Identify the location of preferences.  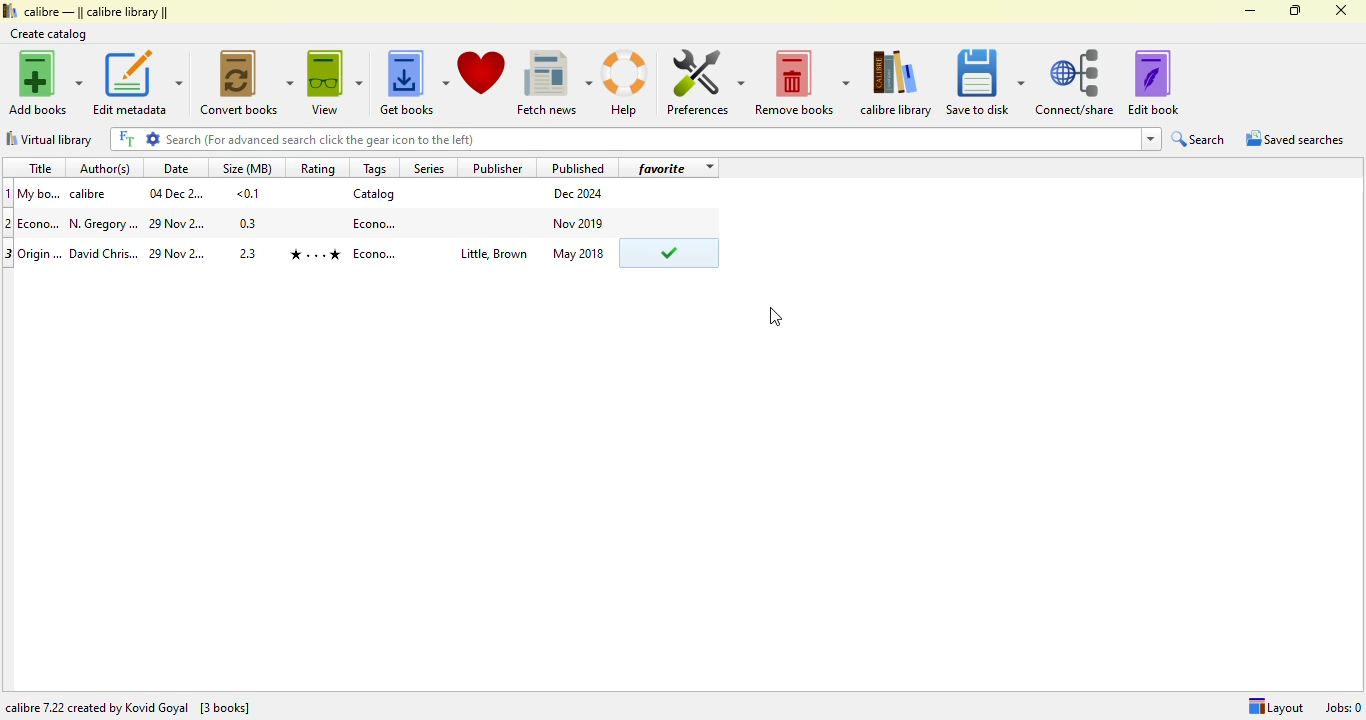
(704, 82).